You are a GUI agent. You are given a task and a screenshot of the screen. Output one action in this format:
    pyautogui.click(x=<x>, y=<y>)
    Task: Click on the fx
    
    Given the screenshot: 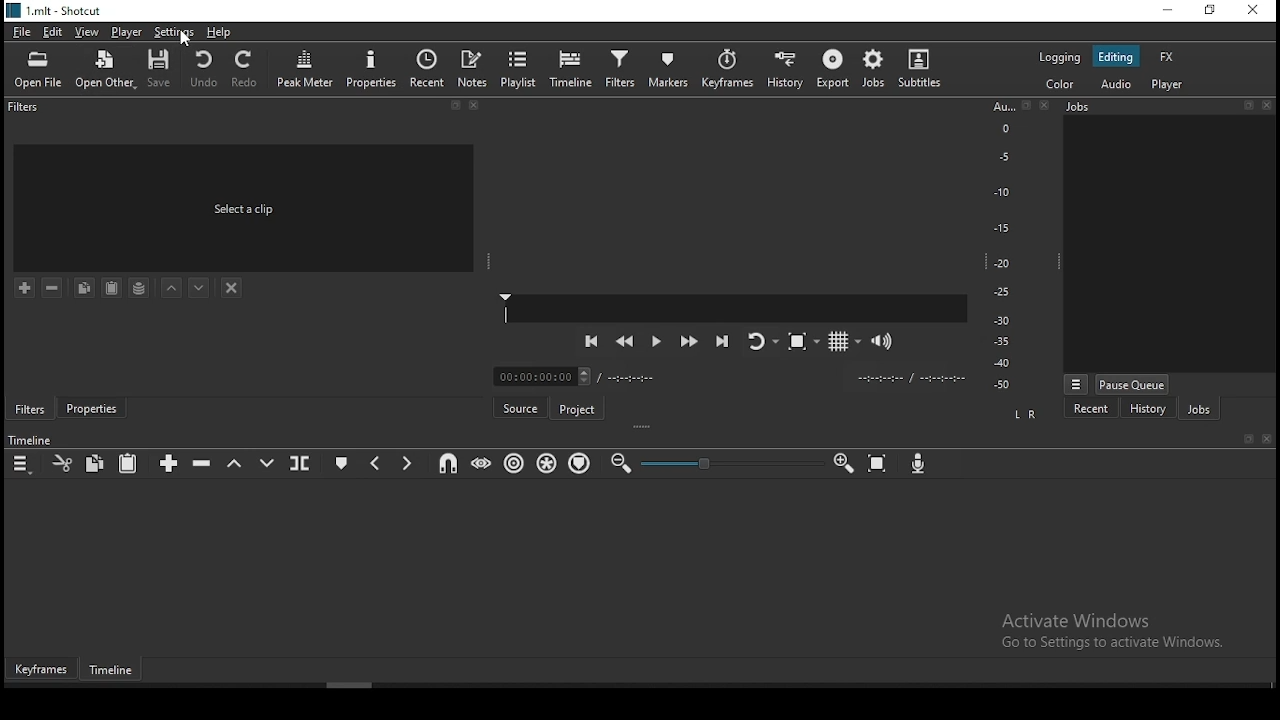 What is the action you would take?
    pyautogui.click(x=1167, y=56)
    